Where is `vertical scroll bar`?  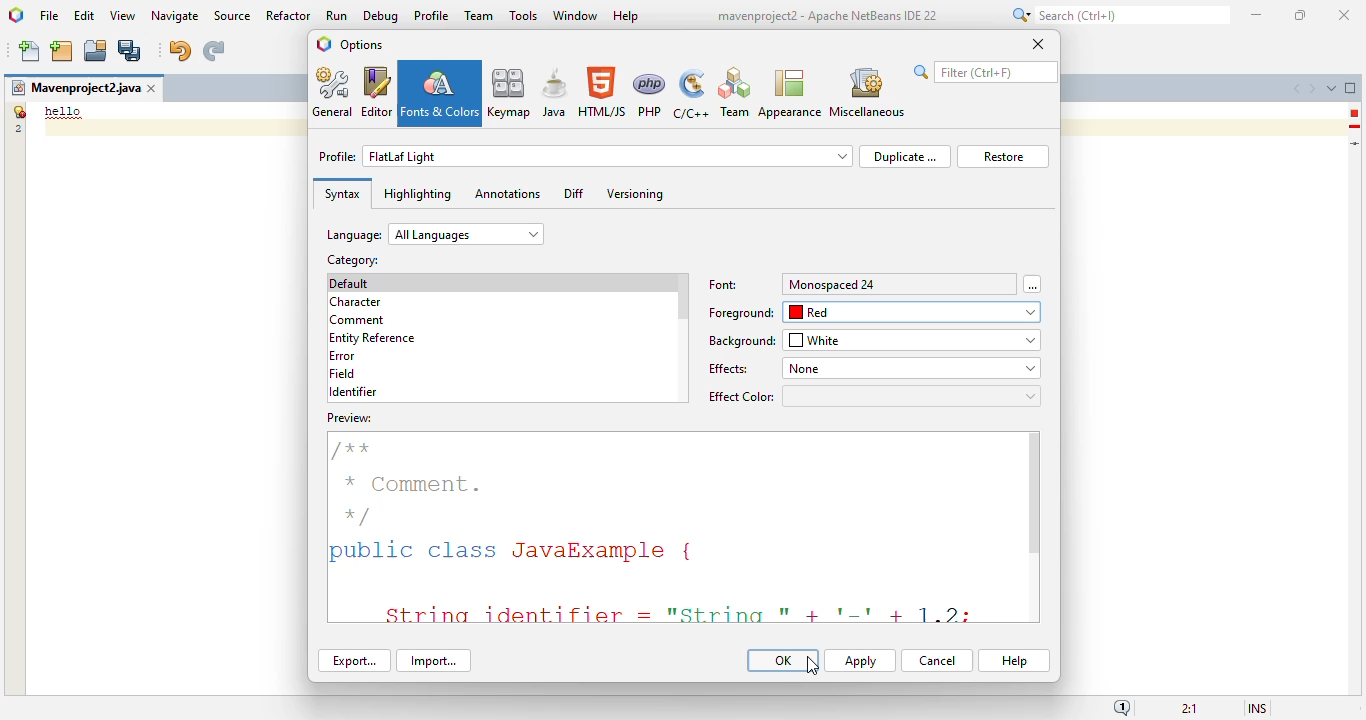
vertical scroll bar is located at coordinates (1035, 495).